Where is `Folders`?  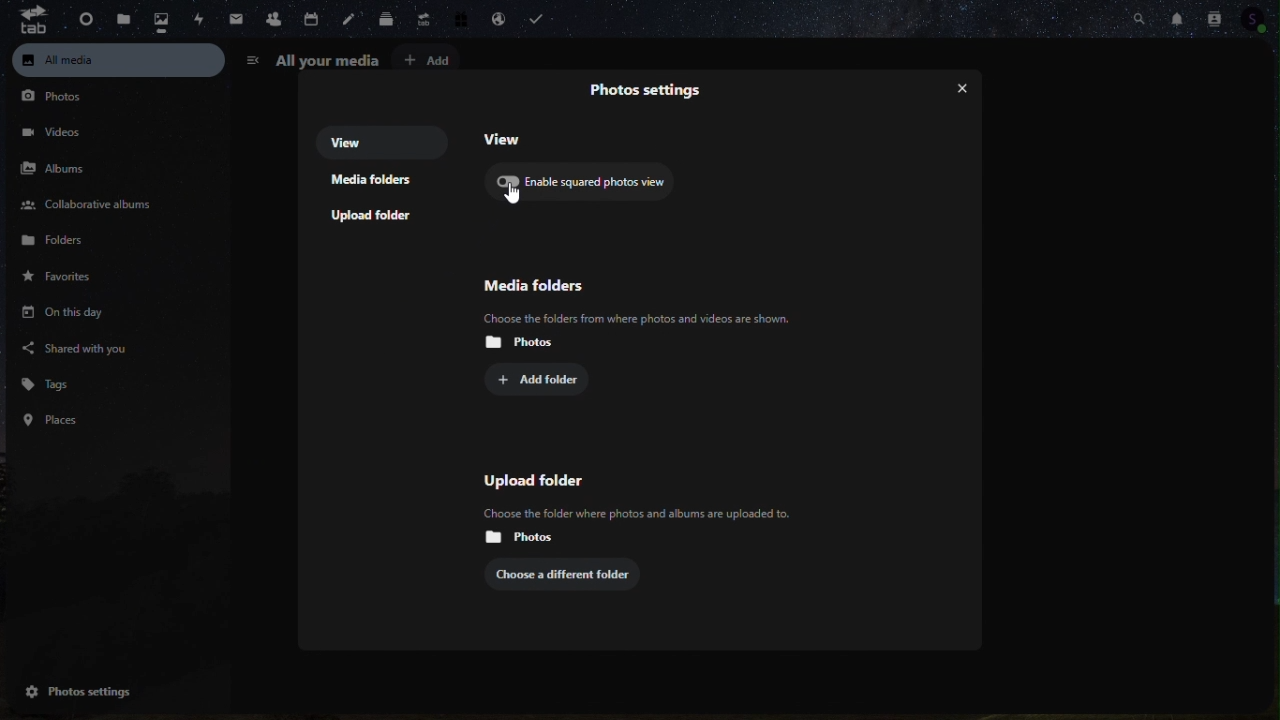
Folders is located at coordinates (70, 245).